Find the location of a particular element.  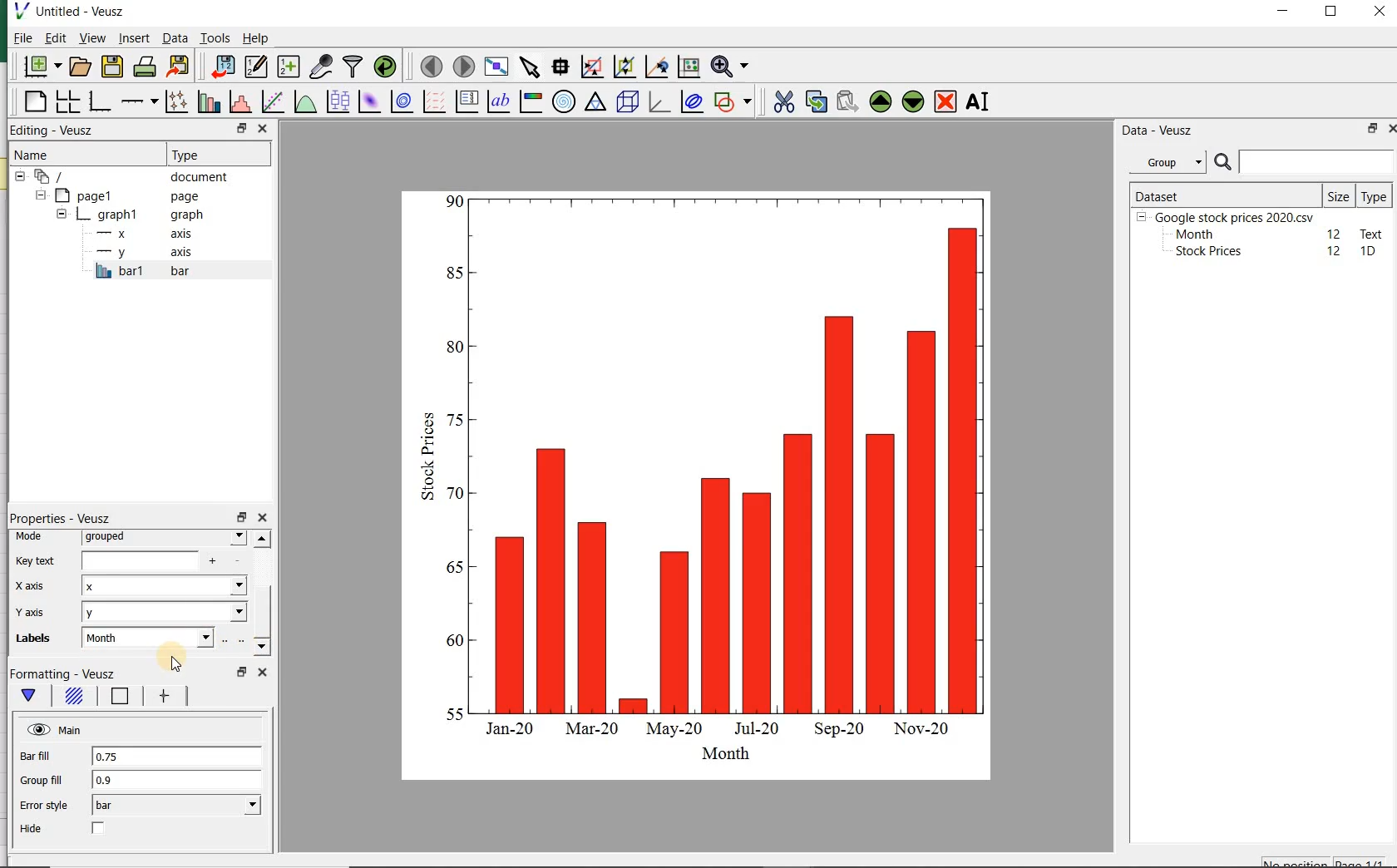

input field is located at coordinates (141, 560).